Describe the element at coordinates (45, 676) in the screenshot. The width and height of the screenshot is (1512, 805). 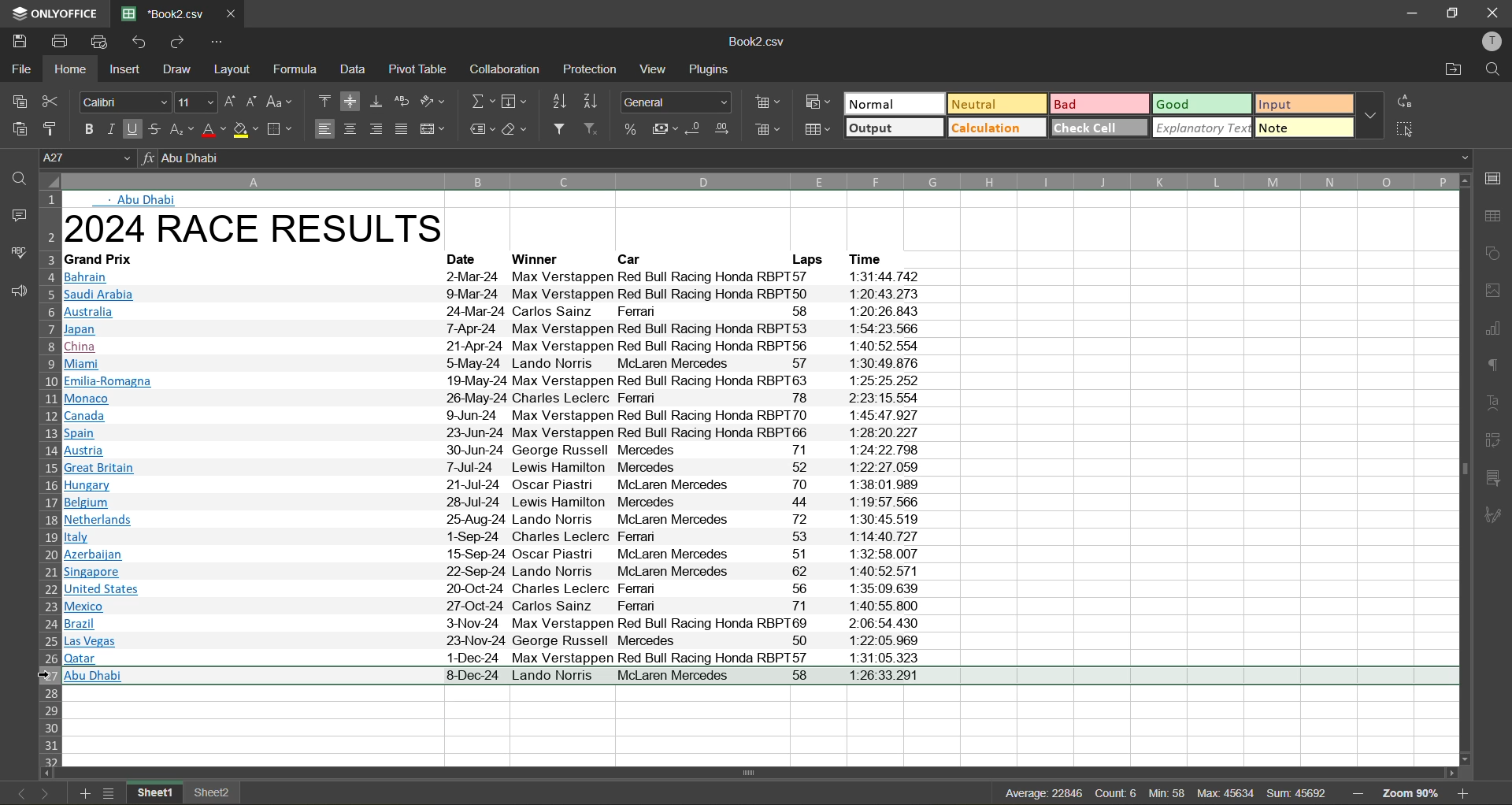
I see `cursor` at that location.